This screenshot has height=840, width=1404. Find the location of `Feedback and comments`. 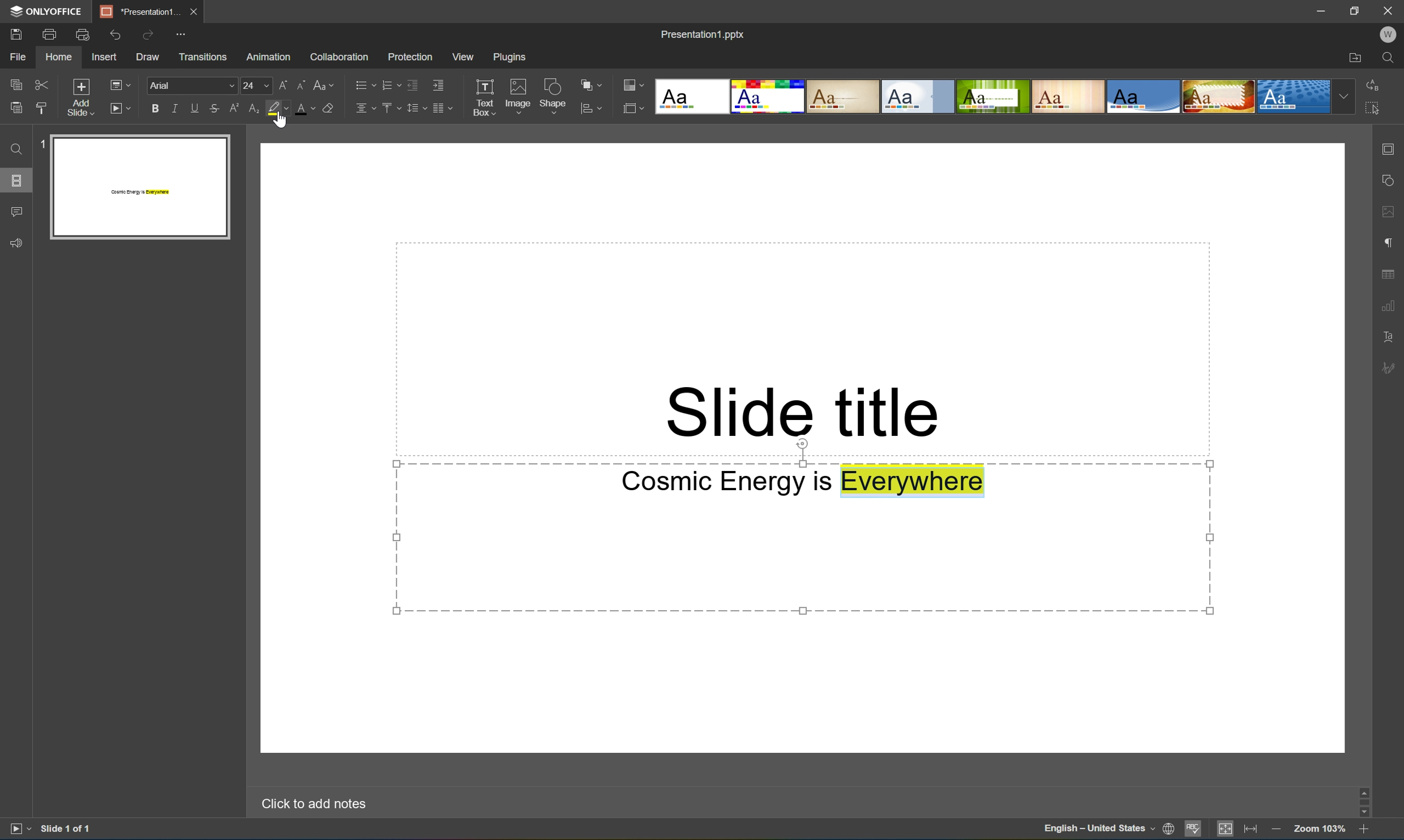

Feedback and comments is located at coordinates (14, 243).